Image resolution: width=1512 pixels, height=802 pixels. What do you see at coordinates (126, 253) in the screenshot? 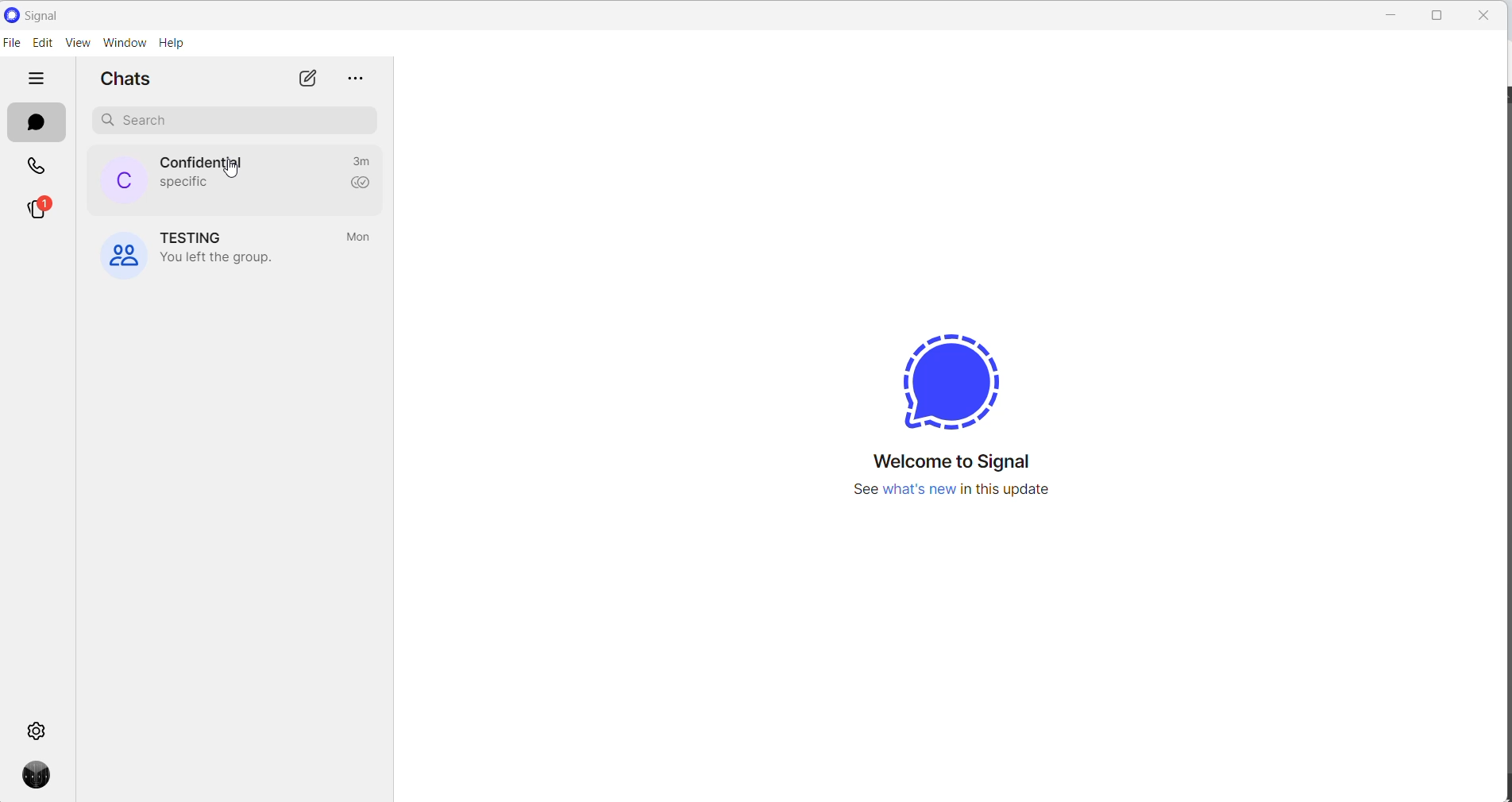
I see `profile picture` at bounding box center [126, 253].